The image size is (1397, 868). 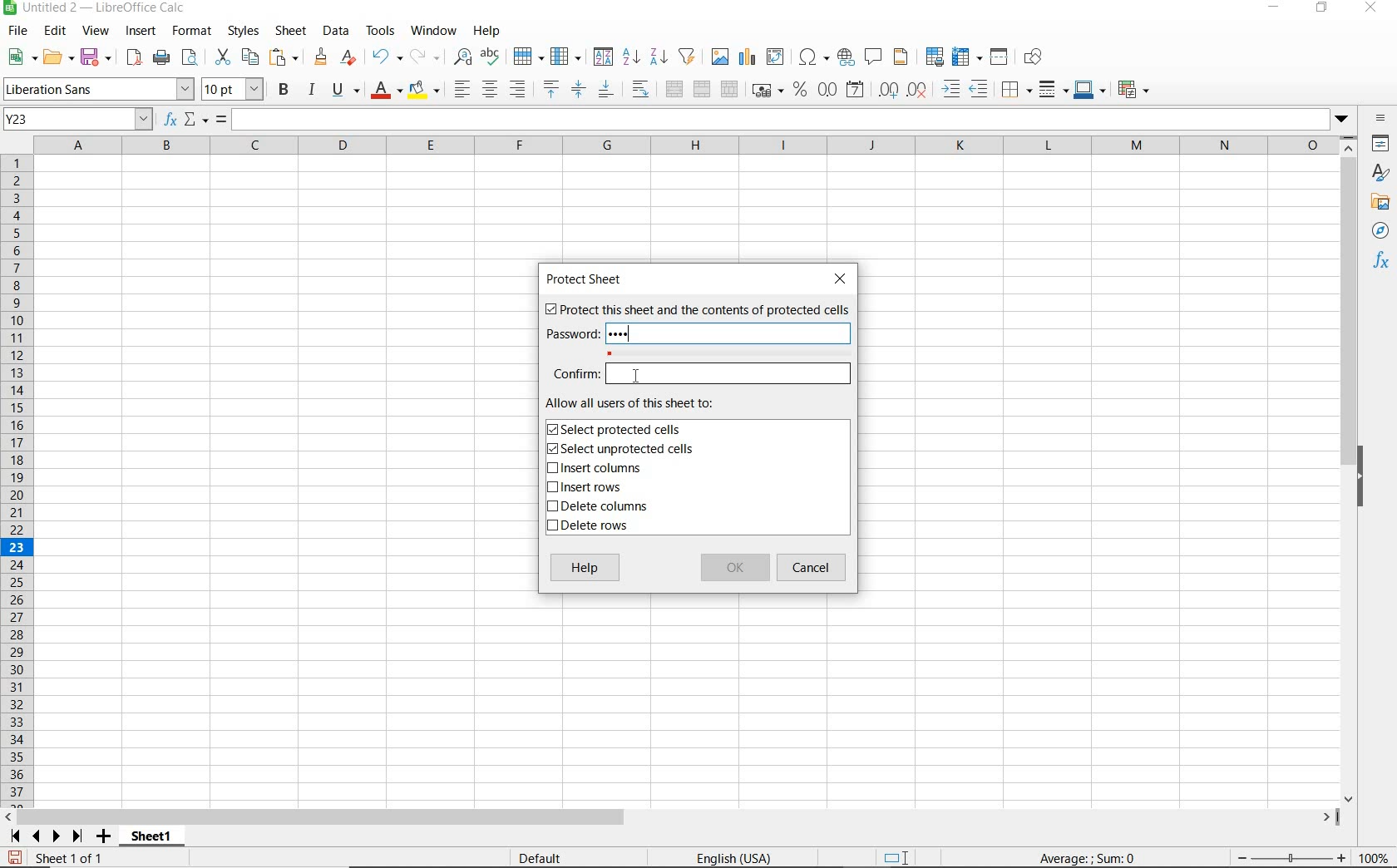 What do you see at coordinates (689, 145) in the screenshot?
I see `COLUMNS` at bounding box center [689, 145].